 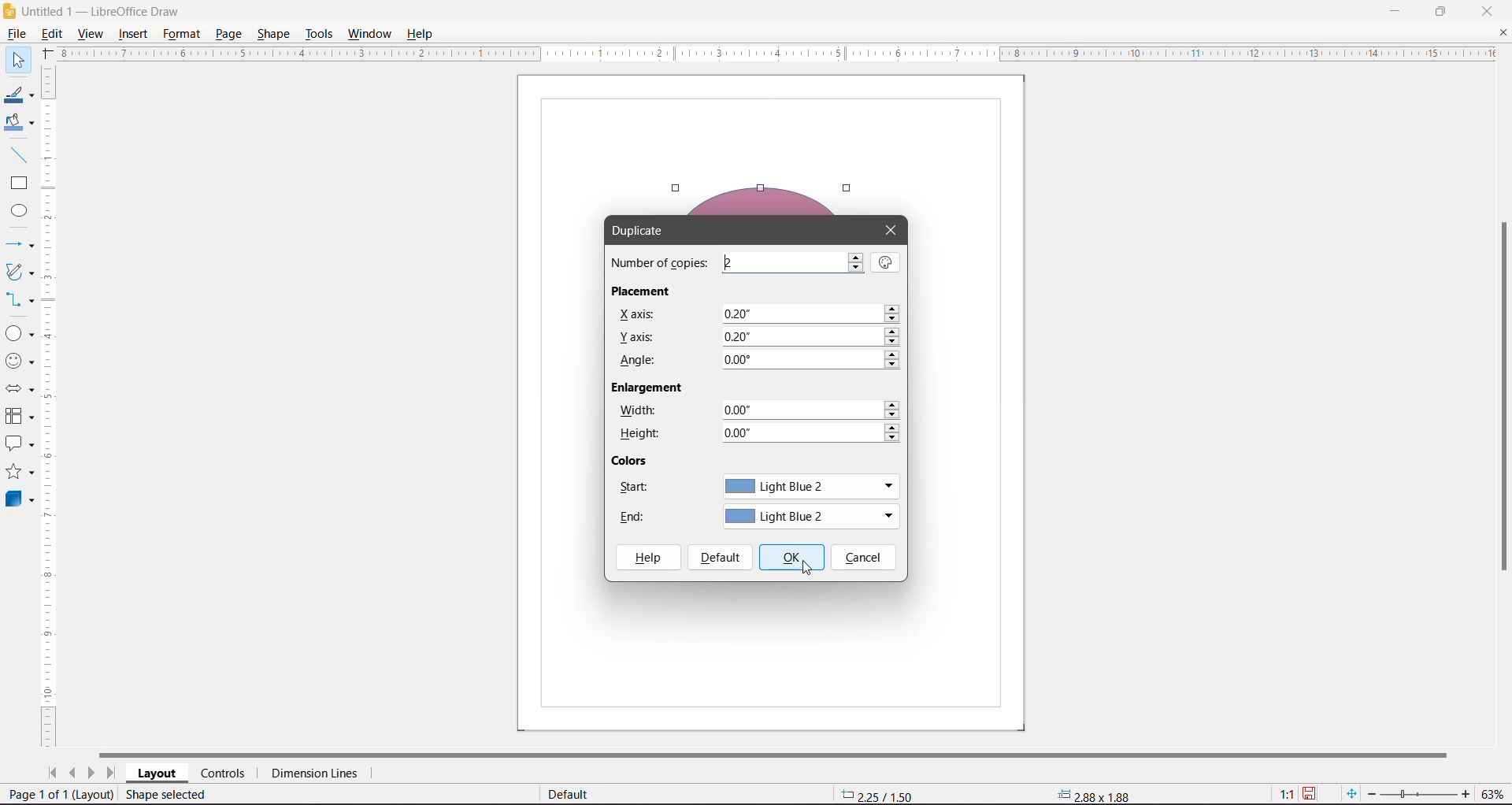 I want to click on Scroll to next page, so click(x=92, y=773).